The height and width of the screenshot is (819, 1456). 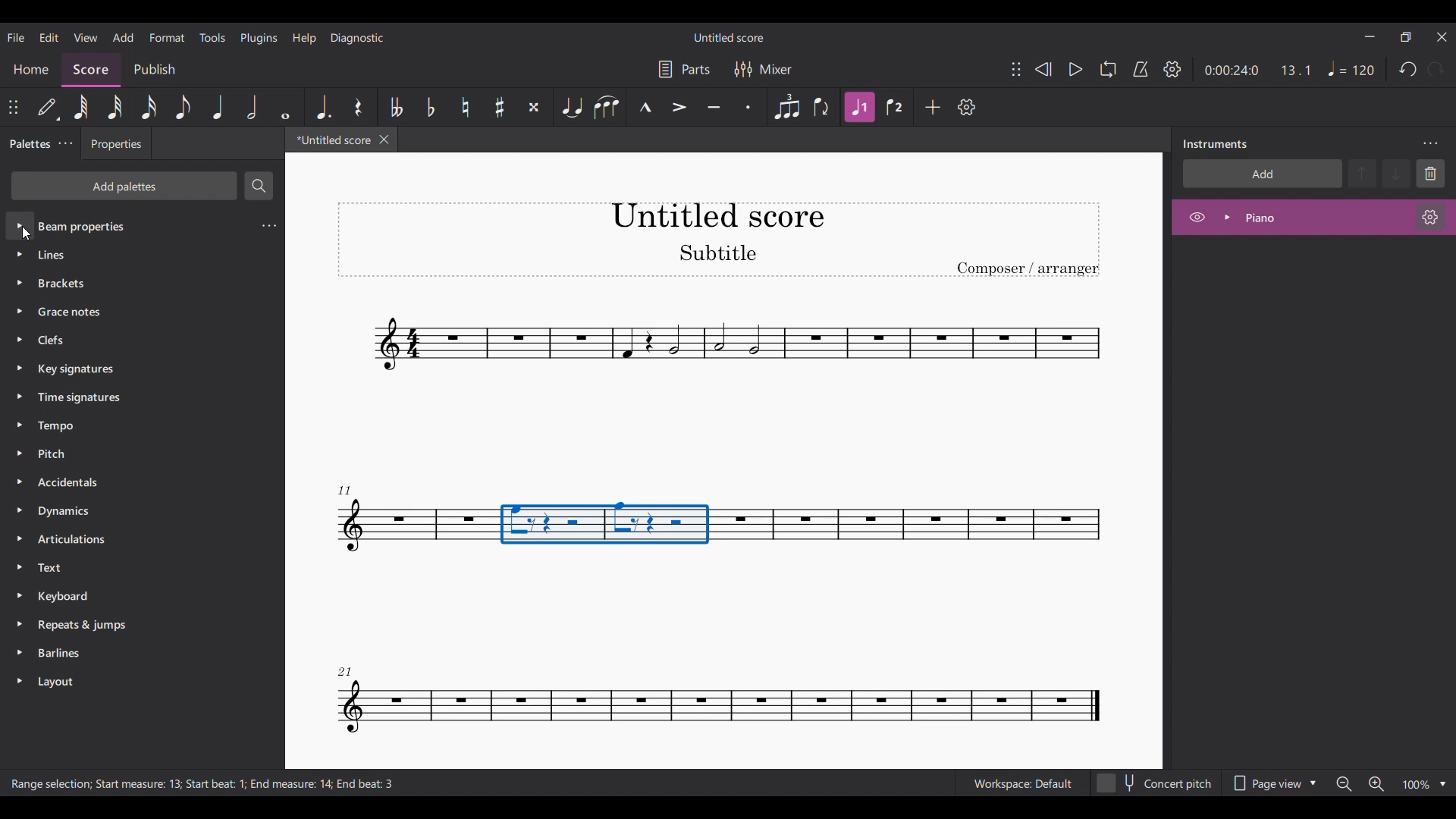 What do you see at coordinates (1417, 784) in the screenshot?
I see `Current zoom factor` at bounding box center [1417, 784].